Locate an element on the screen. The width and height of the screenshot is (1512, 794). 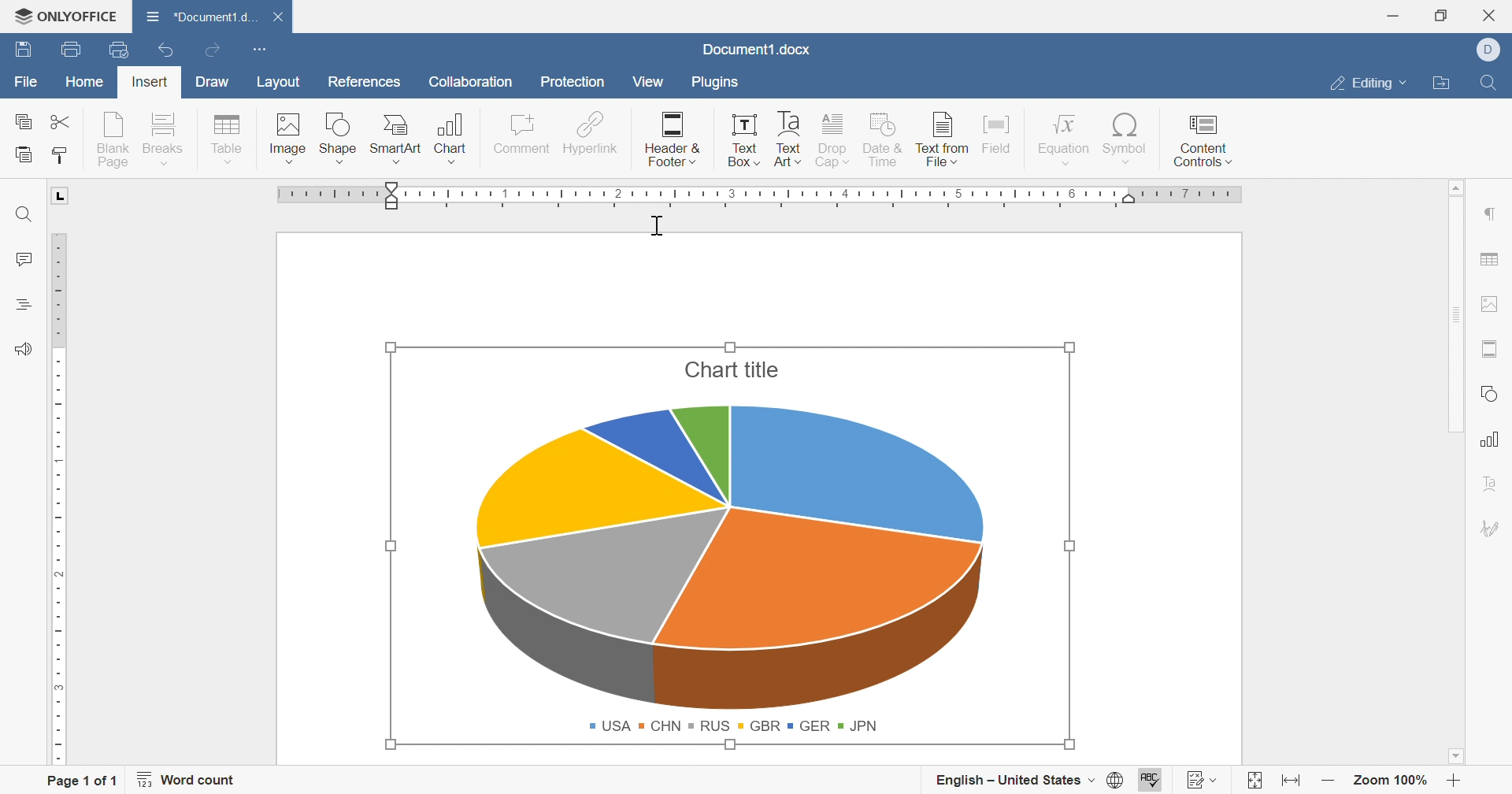
Customize quick access toolbar is located at coordinates (259, 49).